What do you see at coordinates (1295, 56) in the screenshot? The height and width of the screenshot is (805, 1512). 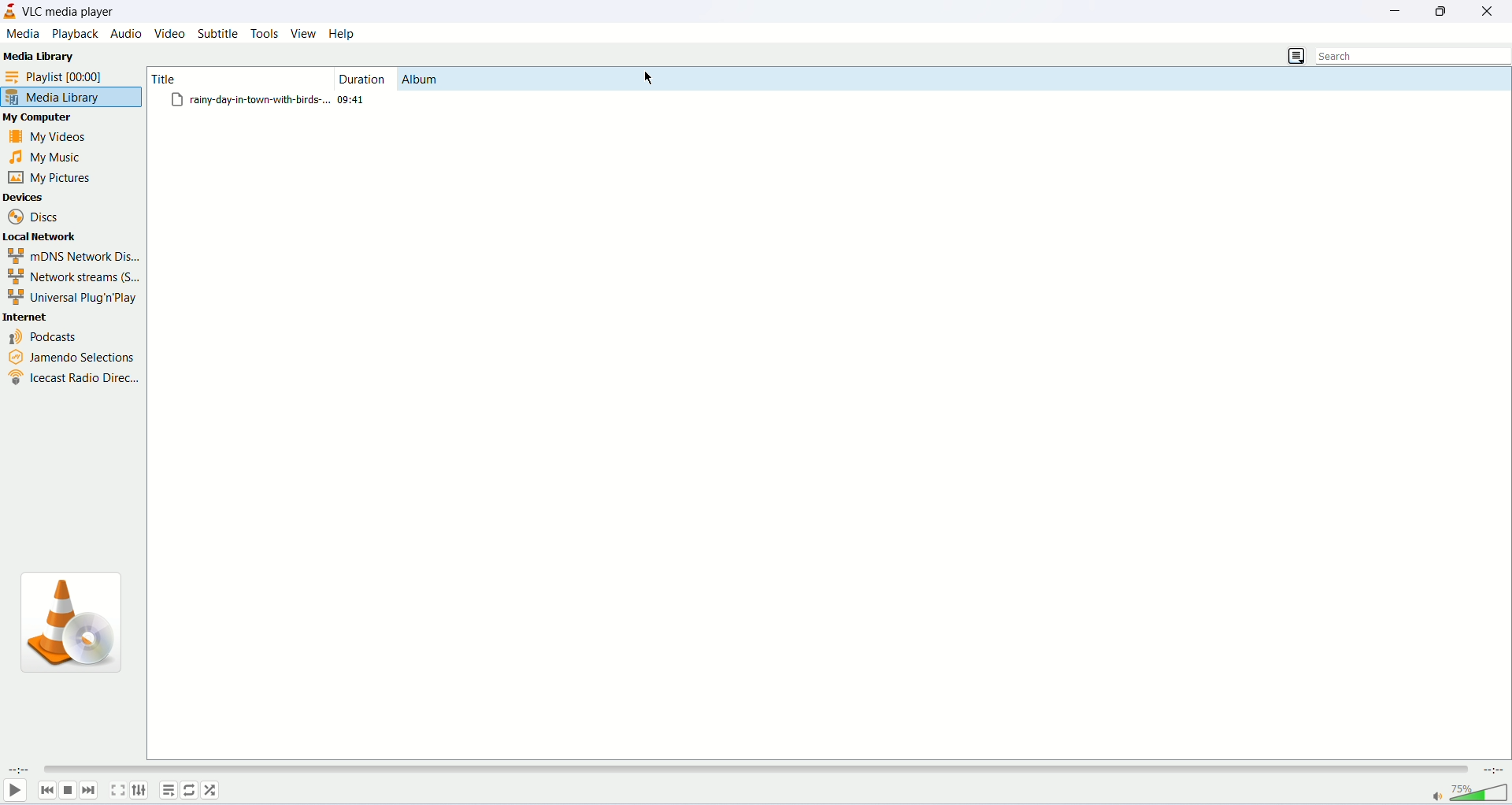 I see `change view` at bounding box center [1295, 56].